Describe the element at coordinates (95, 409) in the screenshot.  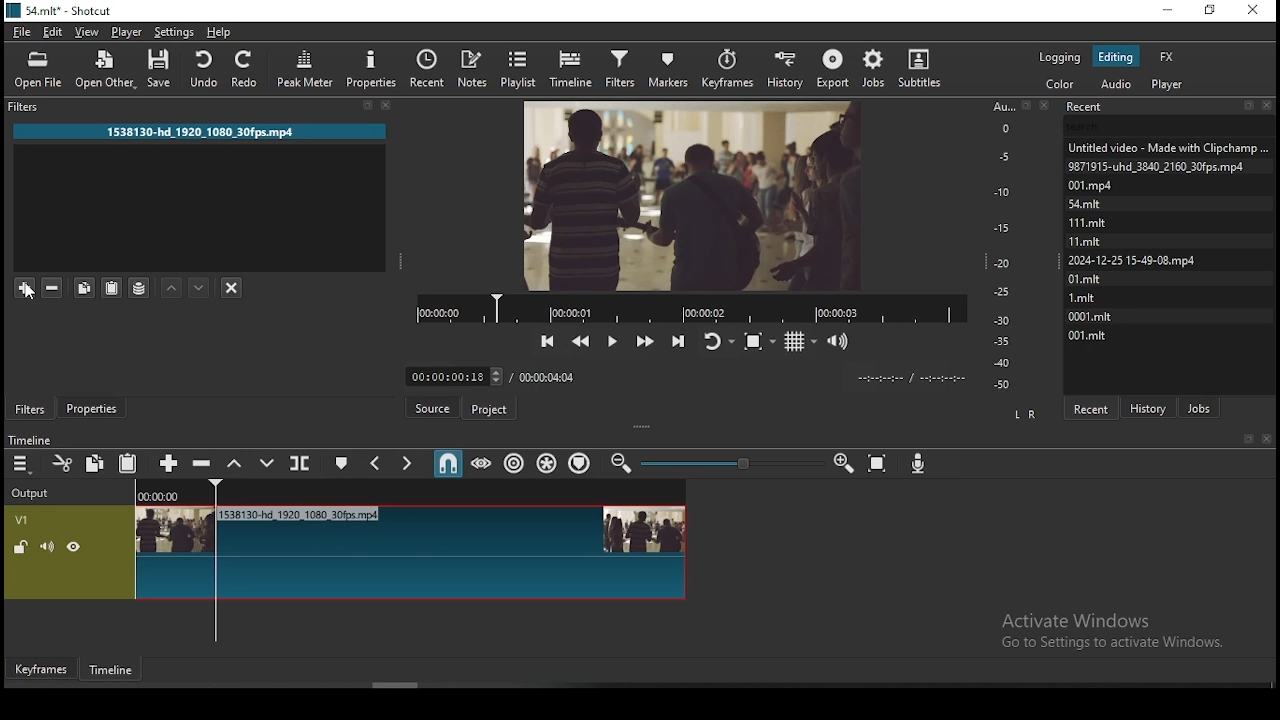
I see `properties` at that location.